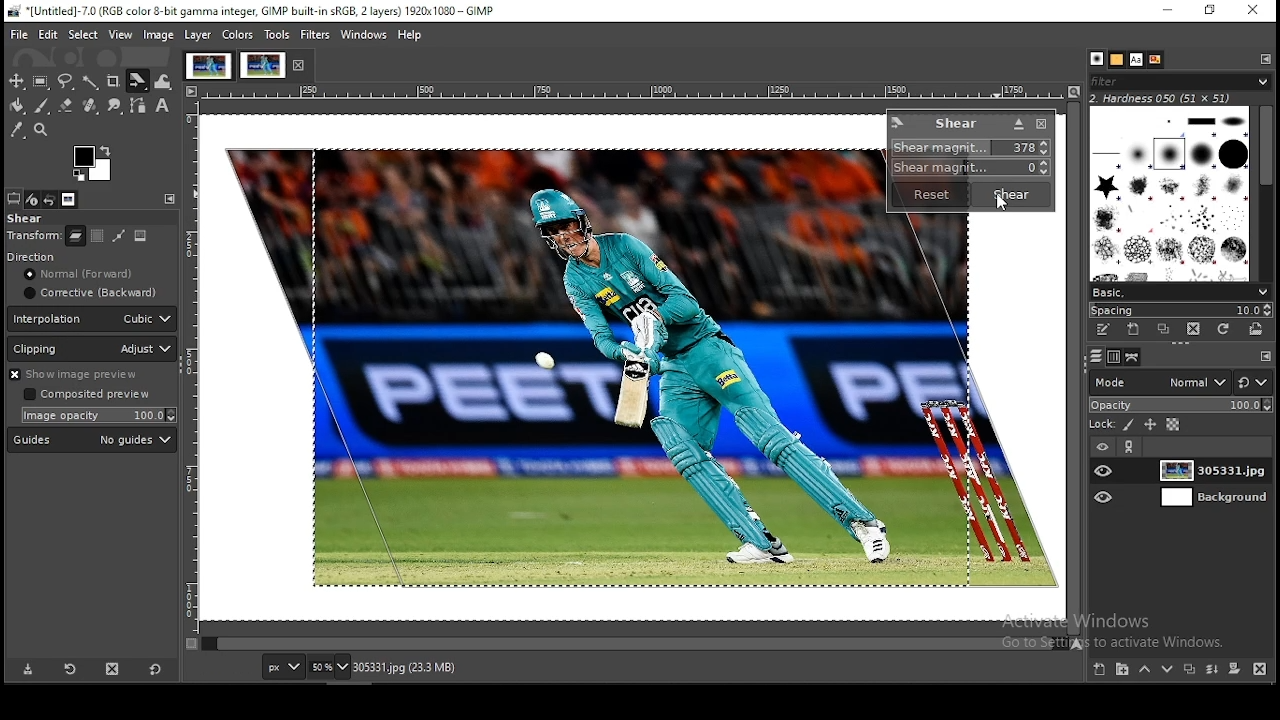 This screenshot has height=720, width=1280. Describe the element at coordinates (1133, 357) in the screenshot. I see `layers` at that location.